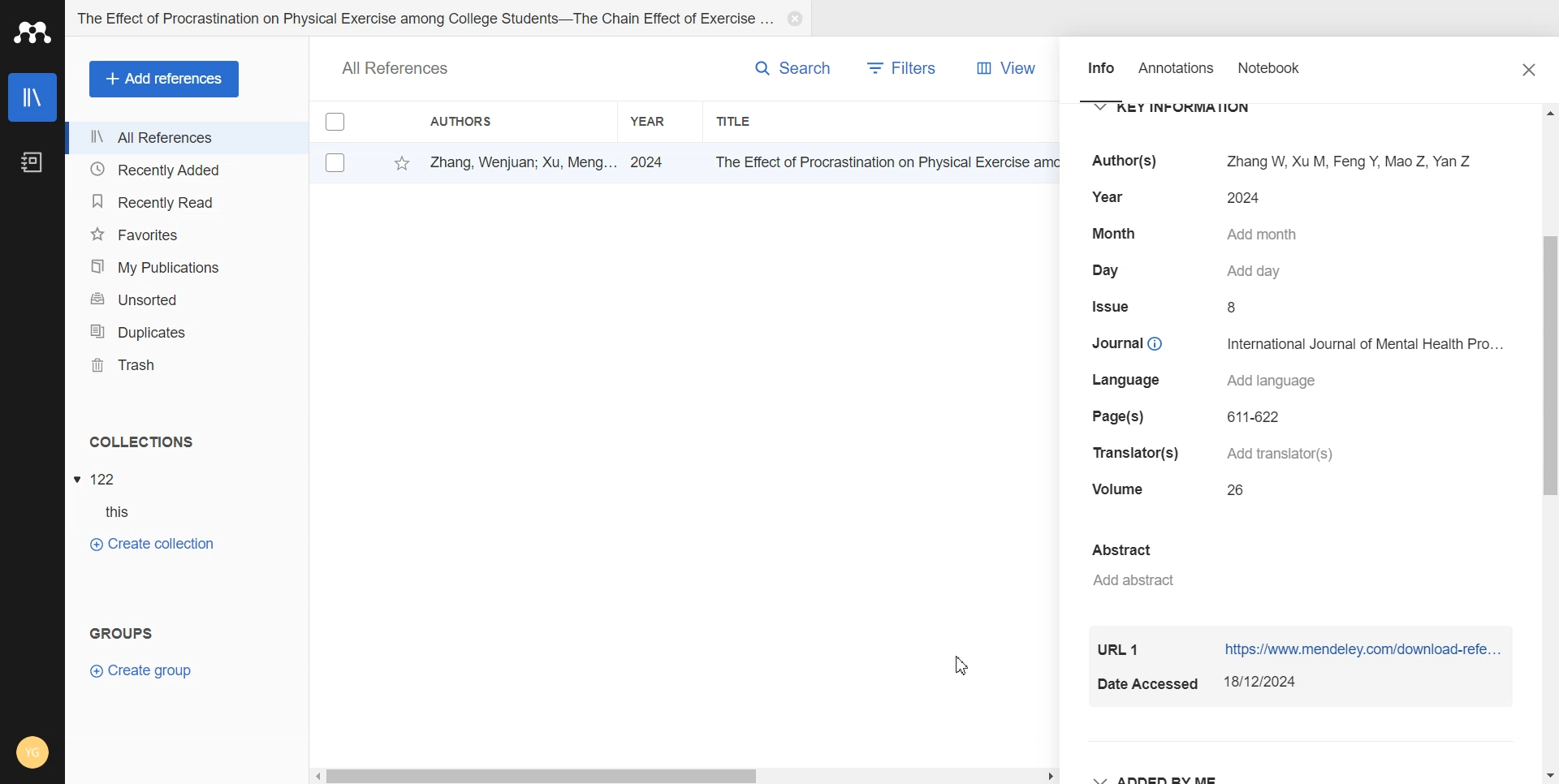 This screenshot has width=1559, height=784. I want to click on Library, so click(32, 97).